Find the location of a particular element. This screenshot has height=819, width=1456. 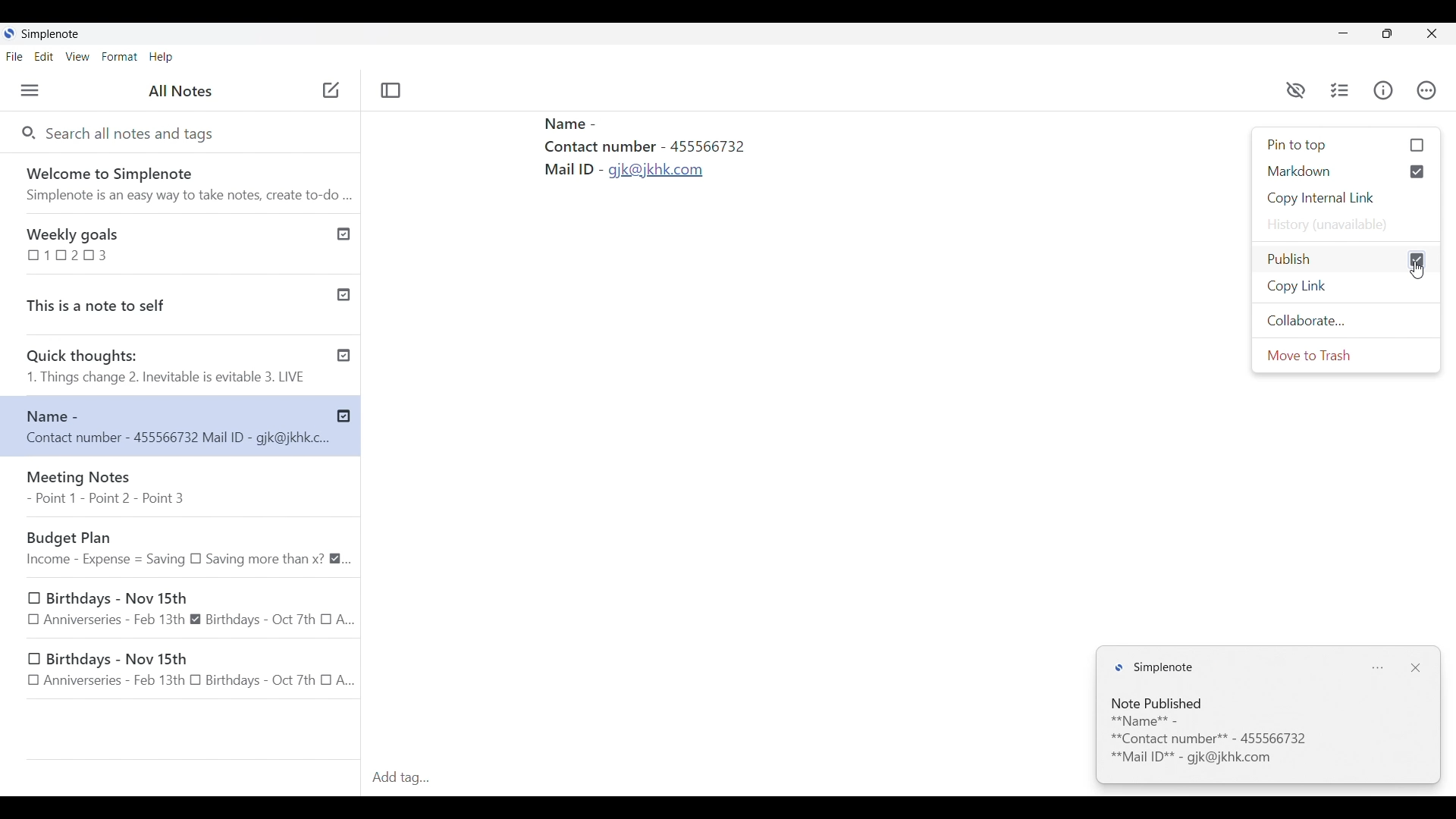

Weekly goals is located at coordinates (162, 243).